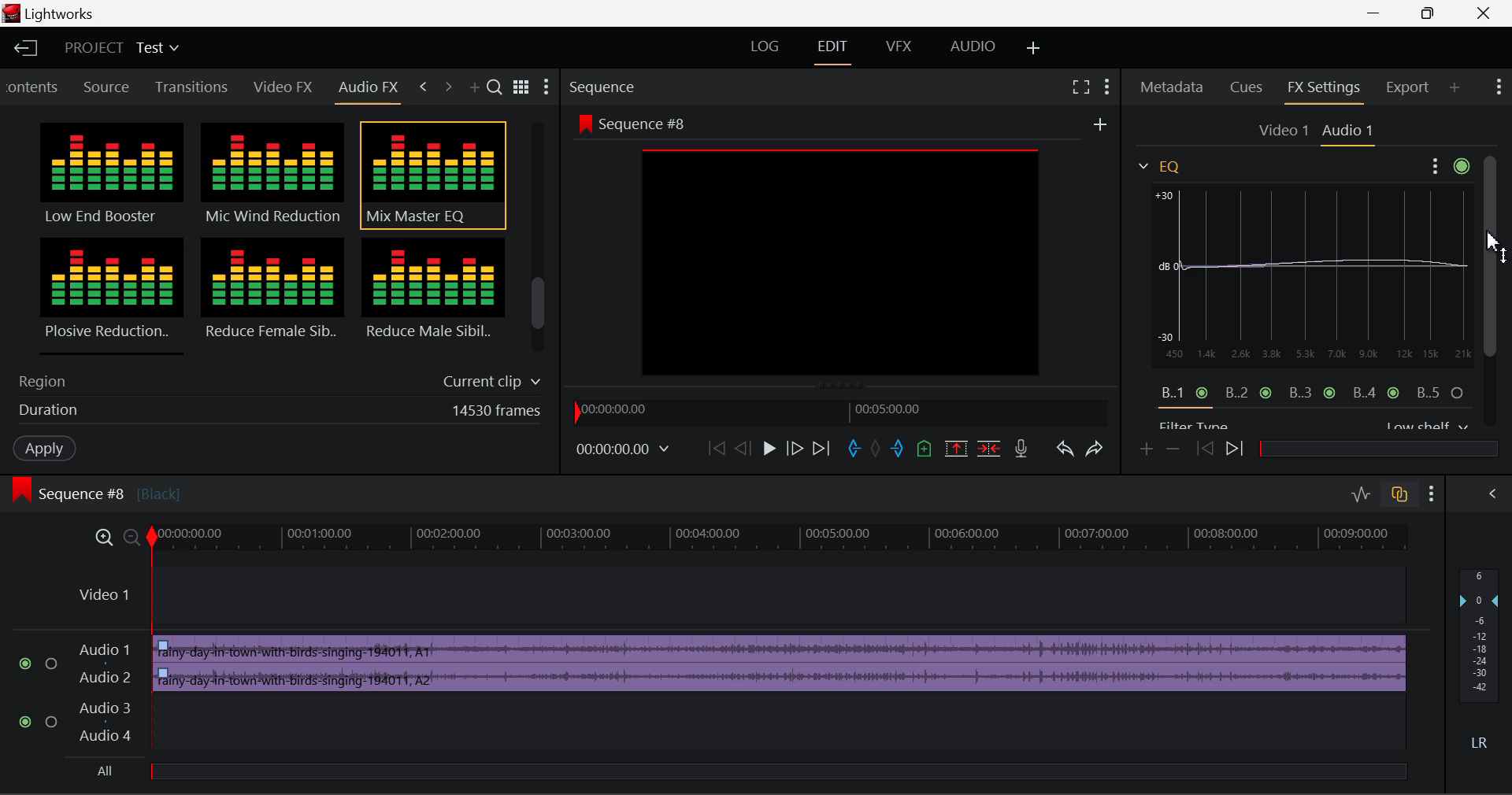 The height and width of the screenshot is (795, 1512). I want to click on Next Tab, so click(447, 85).